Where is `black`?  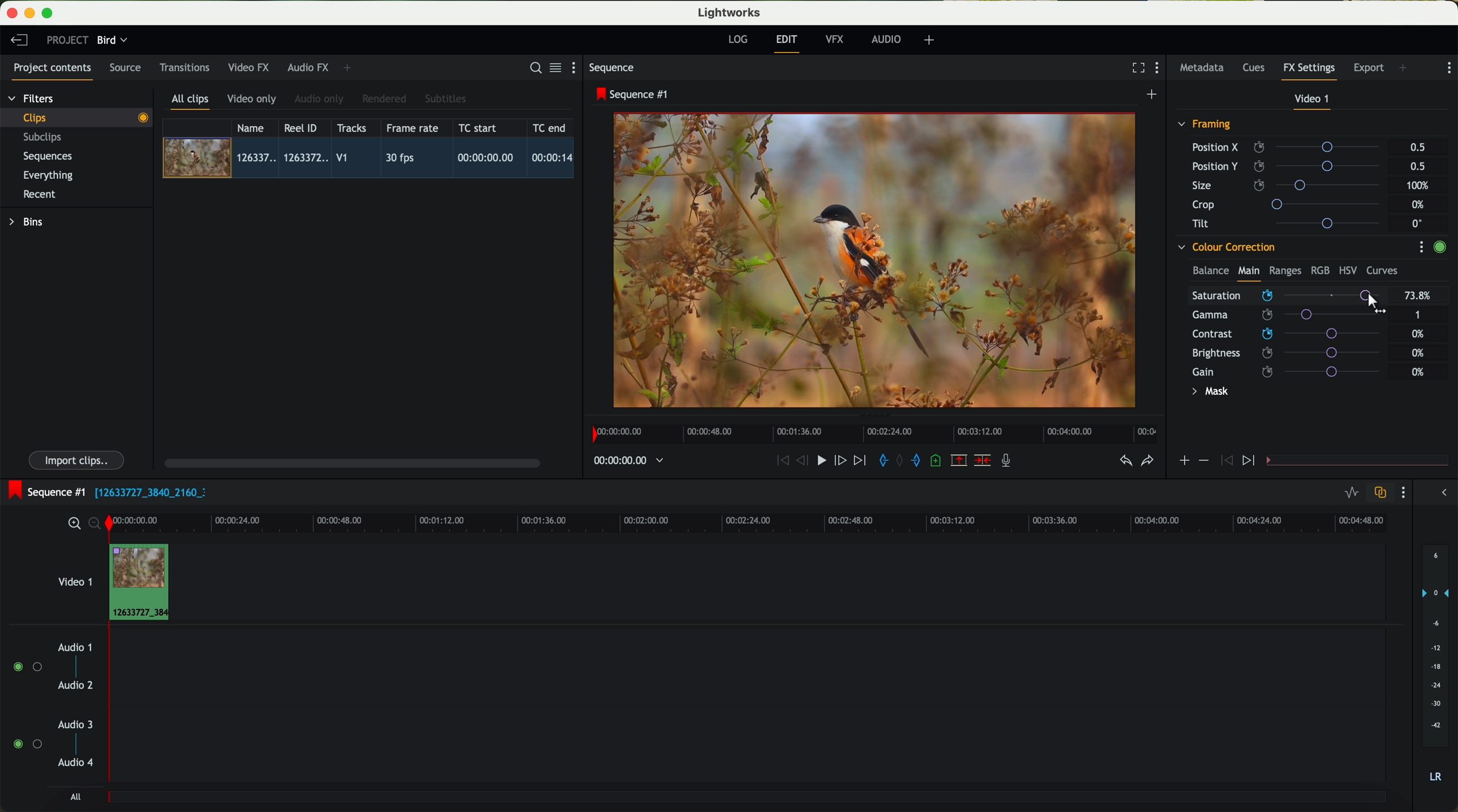
black is located at coordinates (146, 491).